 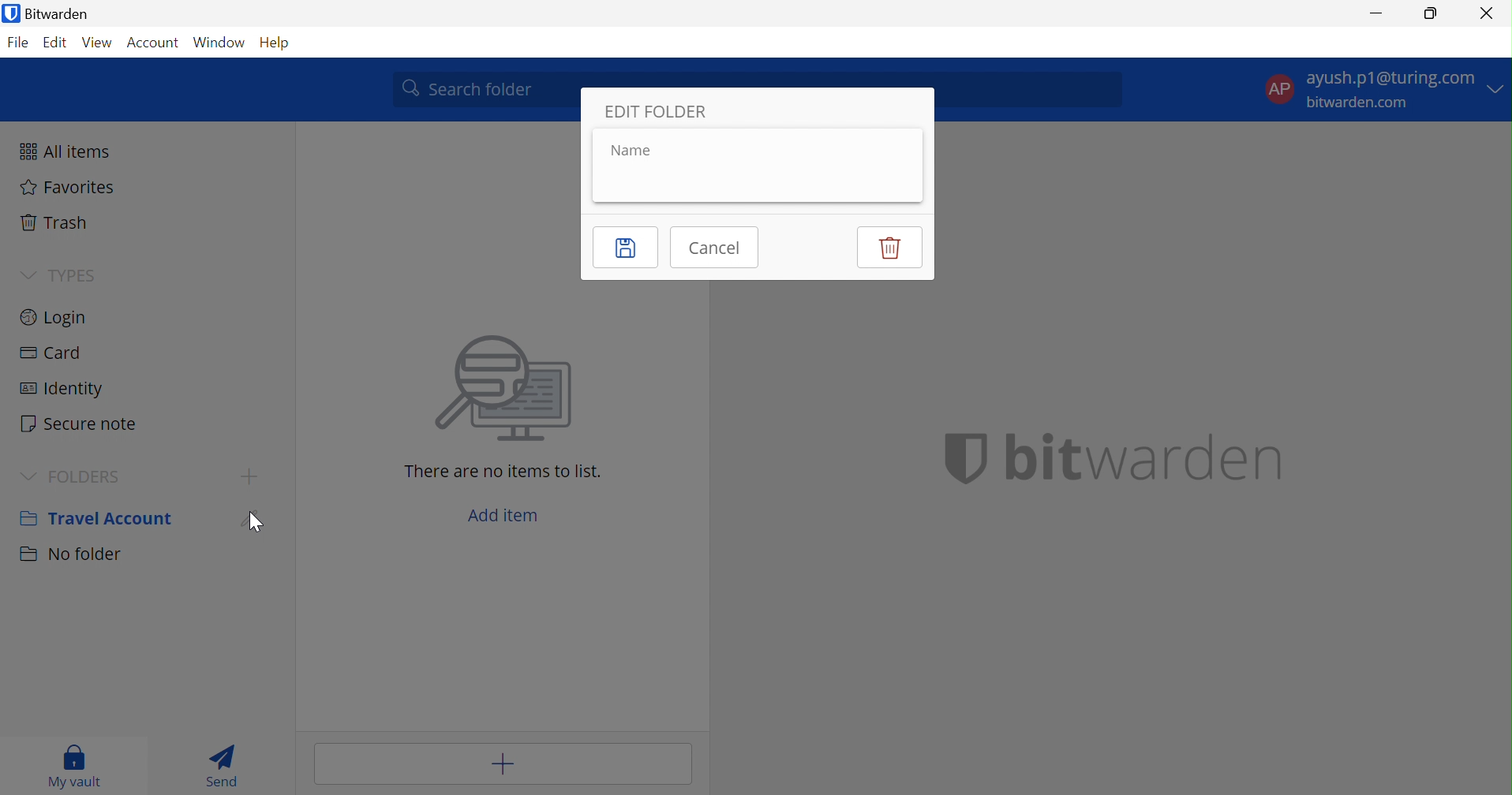 What do you see at coordinates (630, 150) in the screenshot?
I see `Name` at bounding box center [630, 150].